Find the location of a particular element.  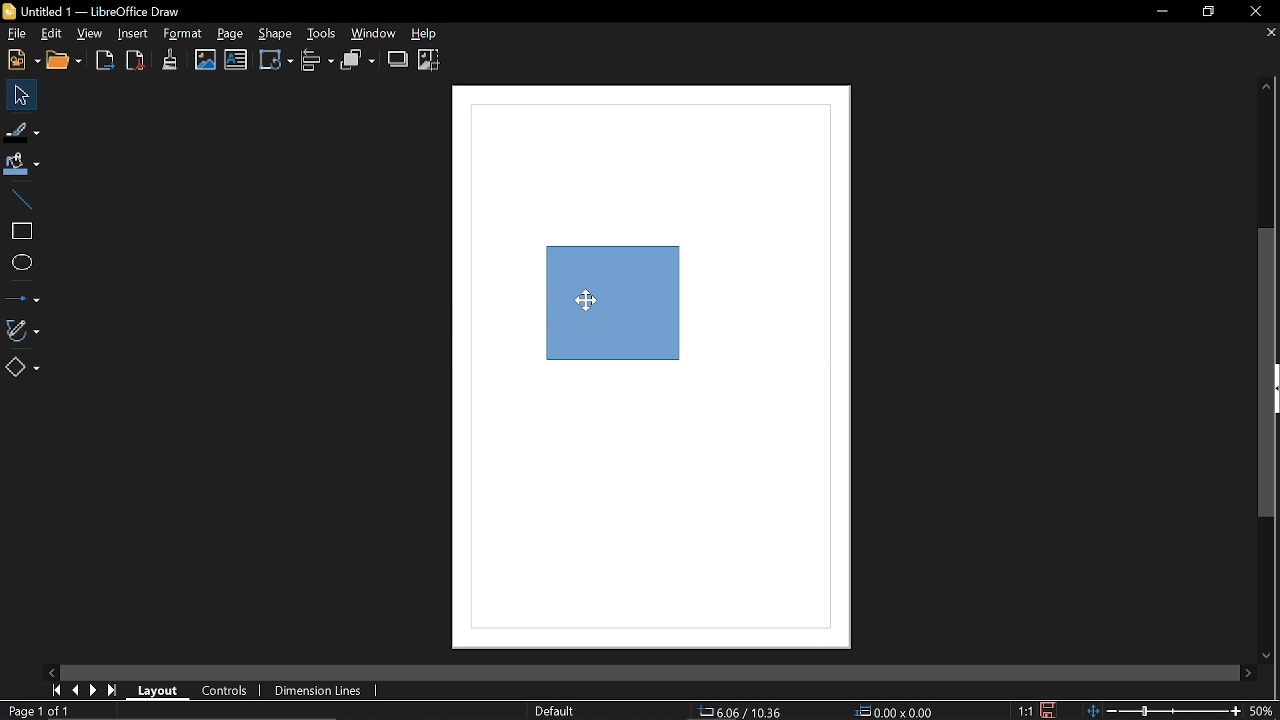

Current zoom is located at coordinates (1265, 711).